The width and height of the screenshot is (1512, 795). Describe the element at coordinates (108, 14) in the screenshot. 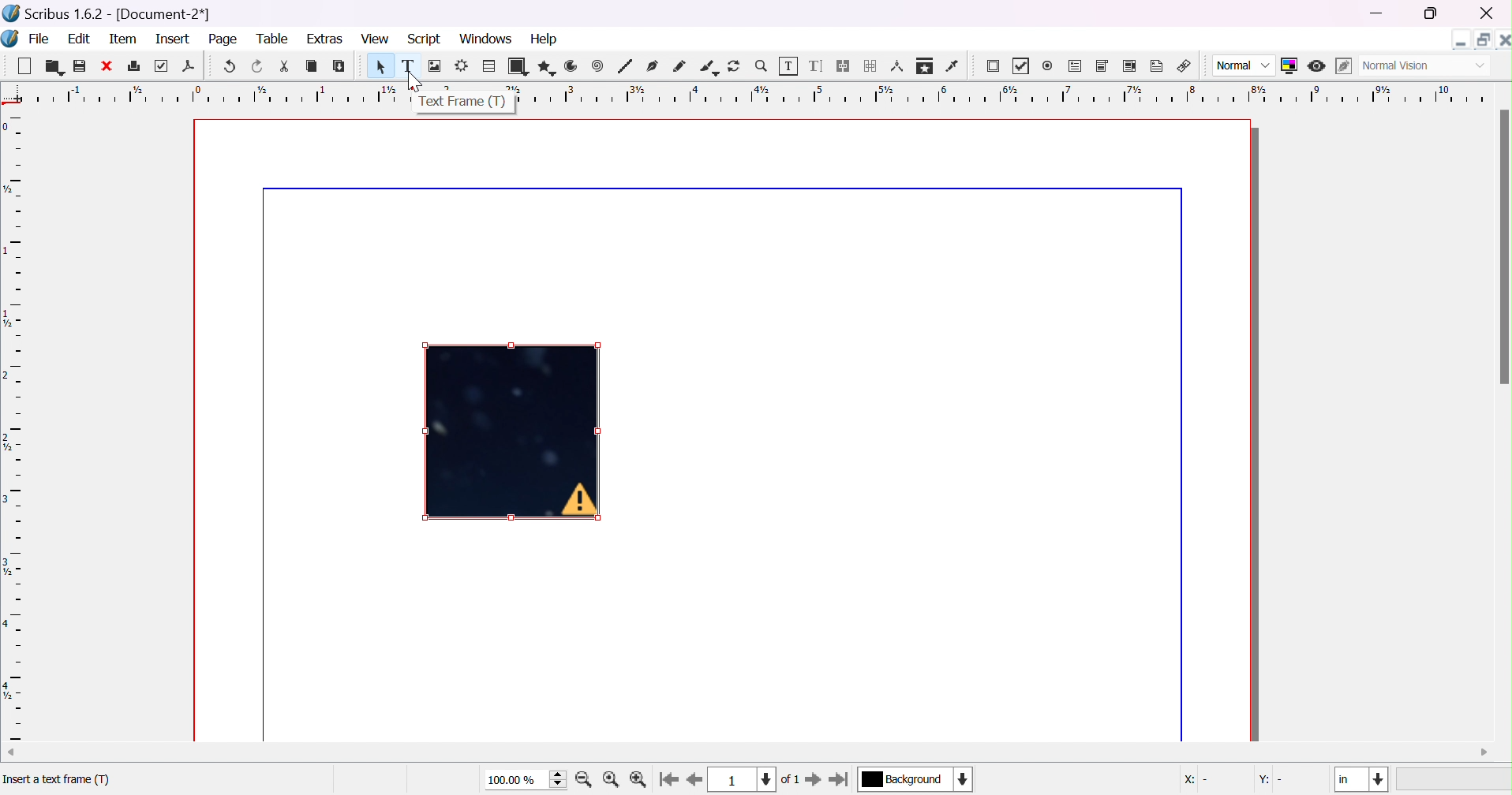

I see `scribus 1.6.2 - [Document-2*]` at that location.